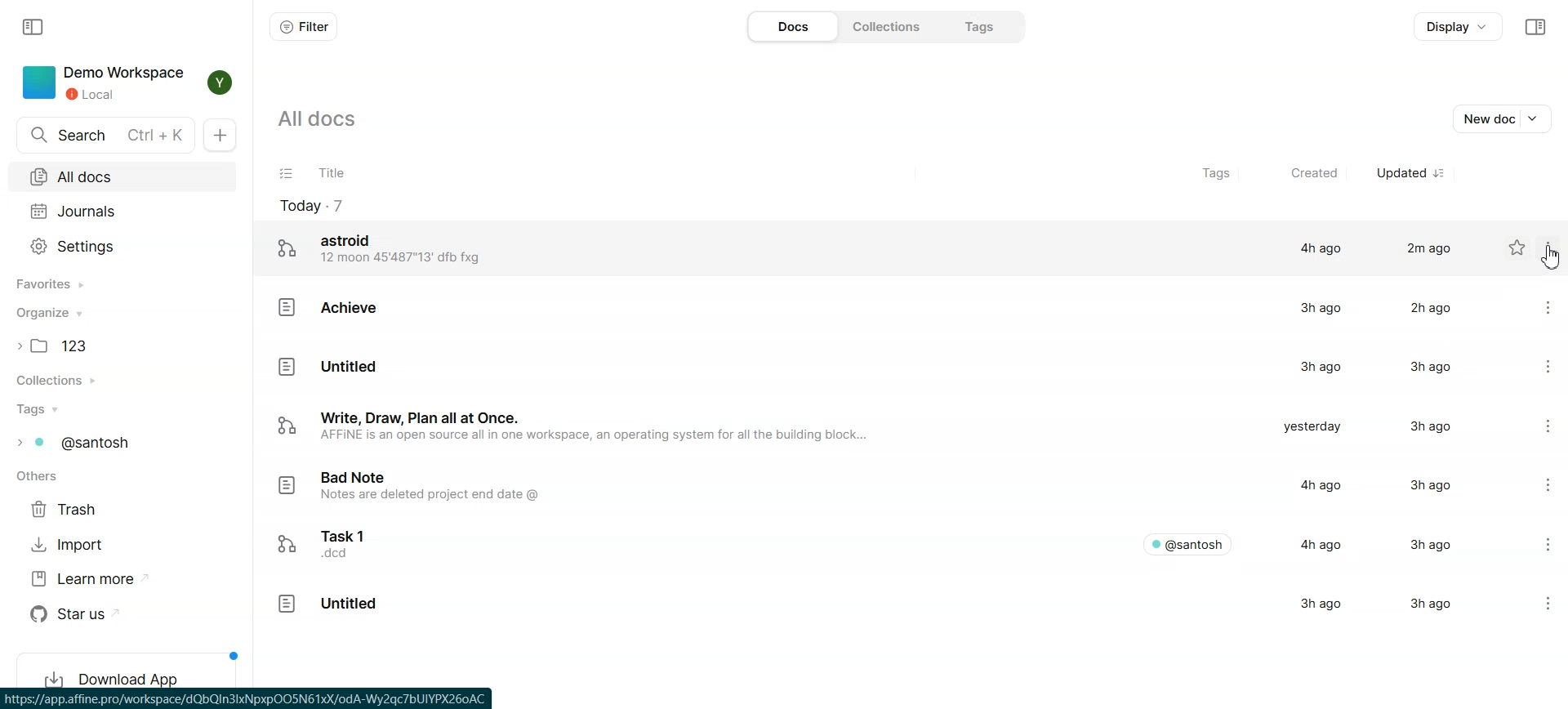  I want to click on  Untitled, so click(328, 366).